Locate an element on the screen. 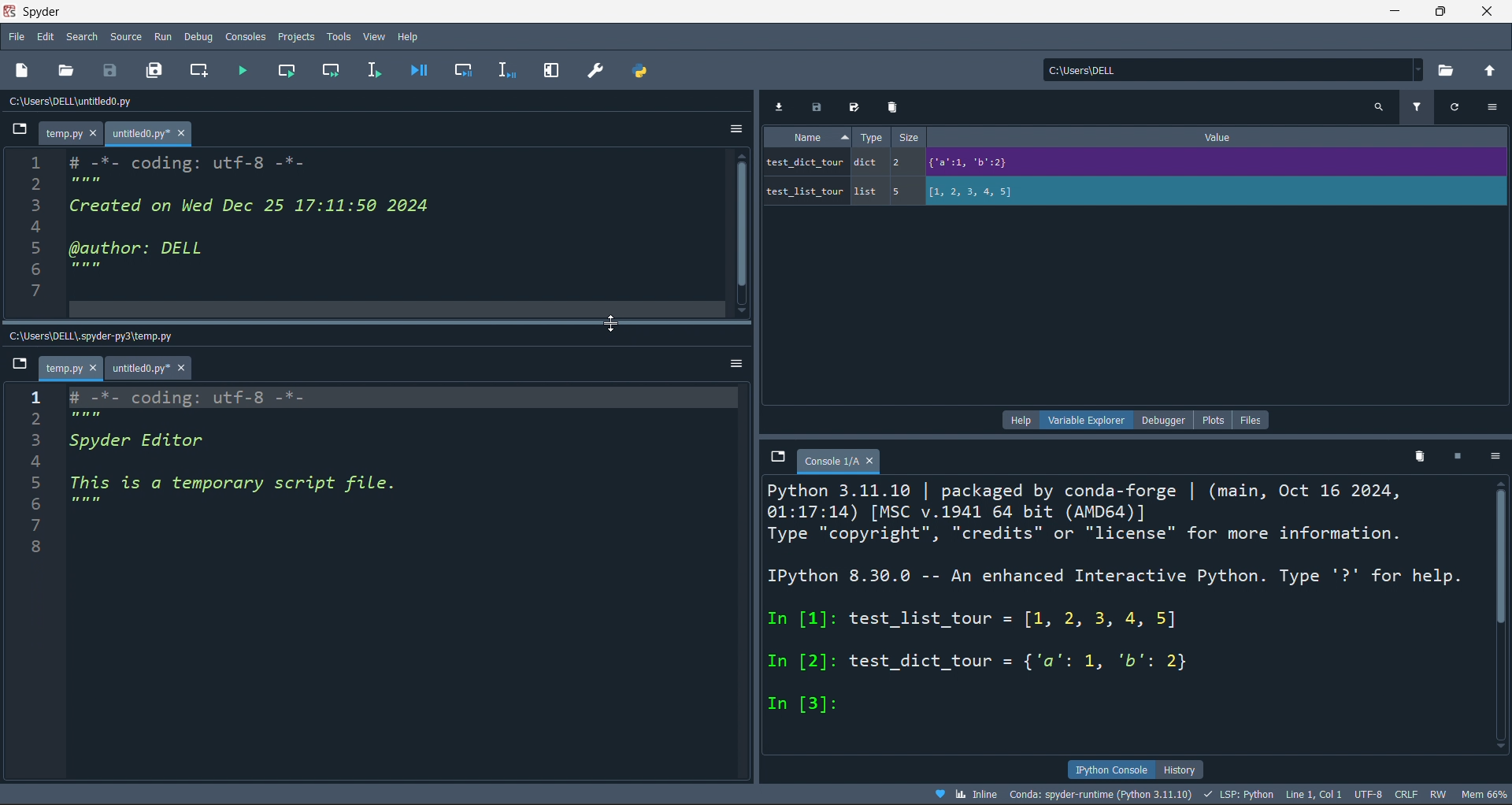  Python 5.11.10 | packaged by conda-torge | (main, Oct lb 2024,
01:17:14) [MSC v.1941 64 bit (AMD64)]

Type "copyright", "credits" or "license" for more information.
IPython 8.30.0 -- An enhanced Interactive Python. Type '?' for help.
In [1]: test_list_tour = [1, 2, 3, 4, 5]

In [2]: test_dict_tour = {‘a': 1, 'b': 2}

In [3]: is located at coordinates (1117, 600).